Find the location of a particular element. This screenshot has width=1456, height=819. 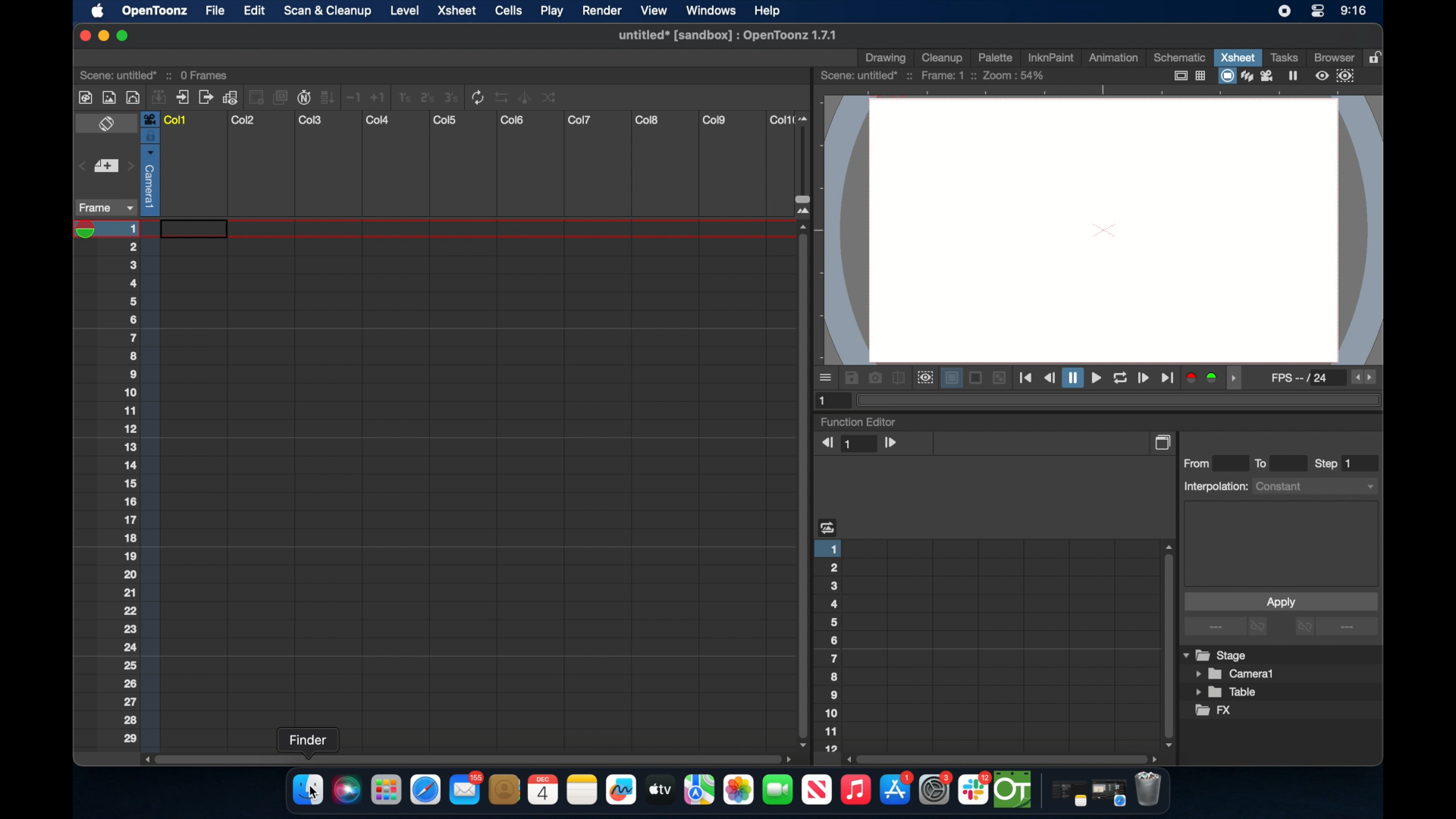

canvas is located at coordinates (1103, 229).